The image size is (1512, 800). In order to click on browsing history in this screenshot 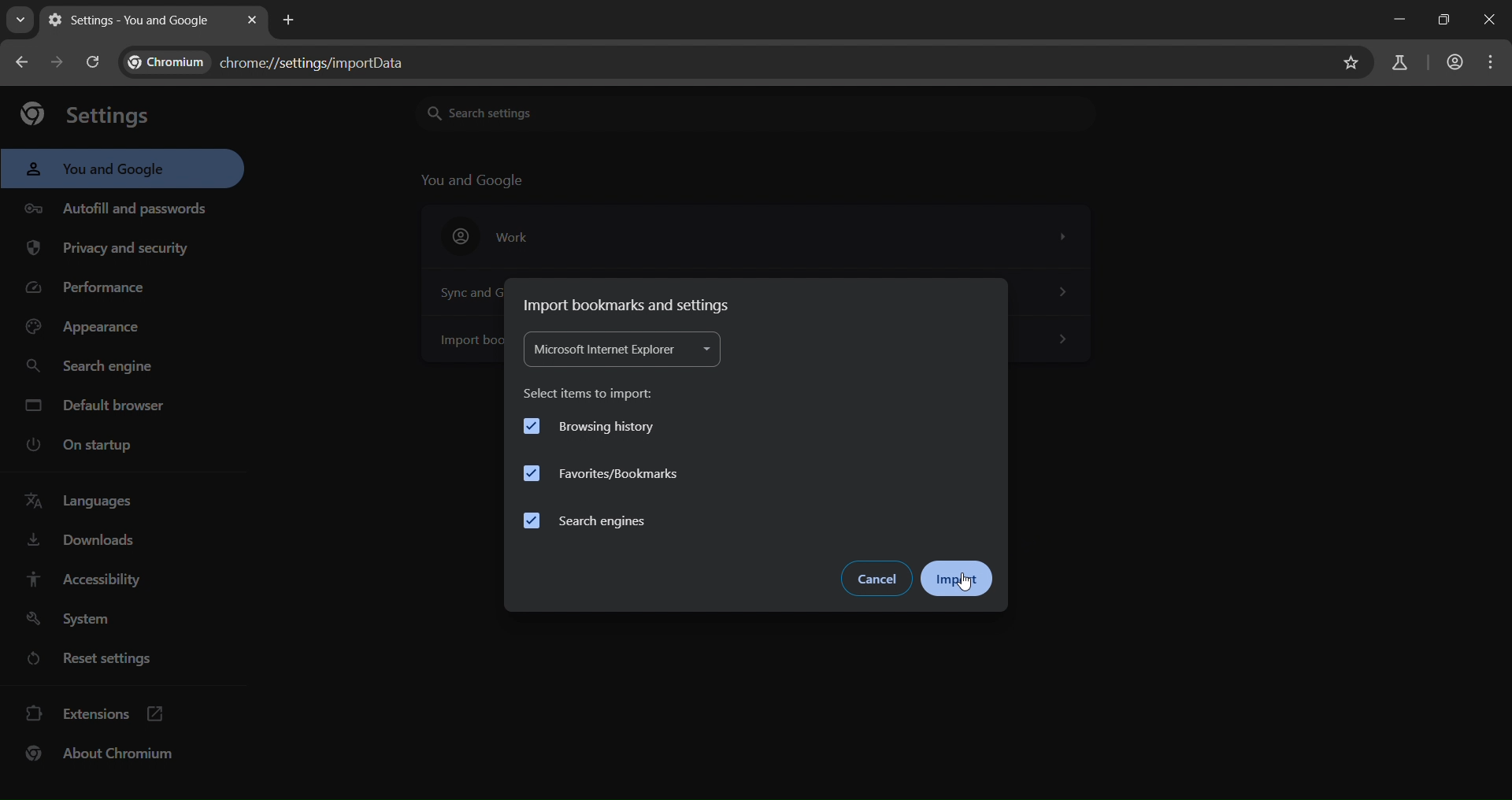, I will do `click(586, 424)`.